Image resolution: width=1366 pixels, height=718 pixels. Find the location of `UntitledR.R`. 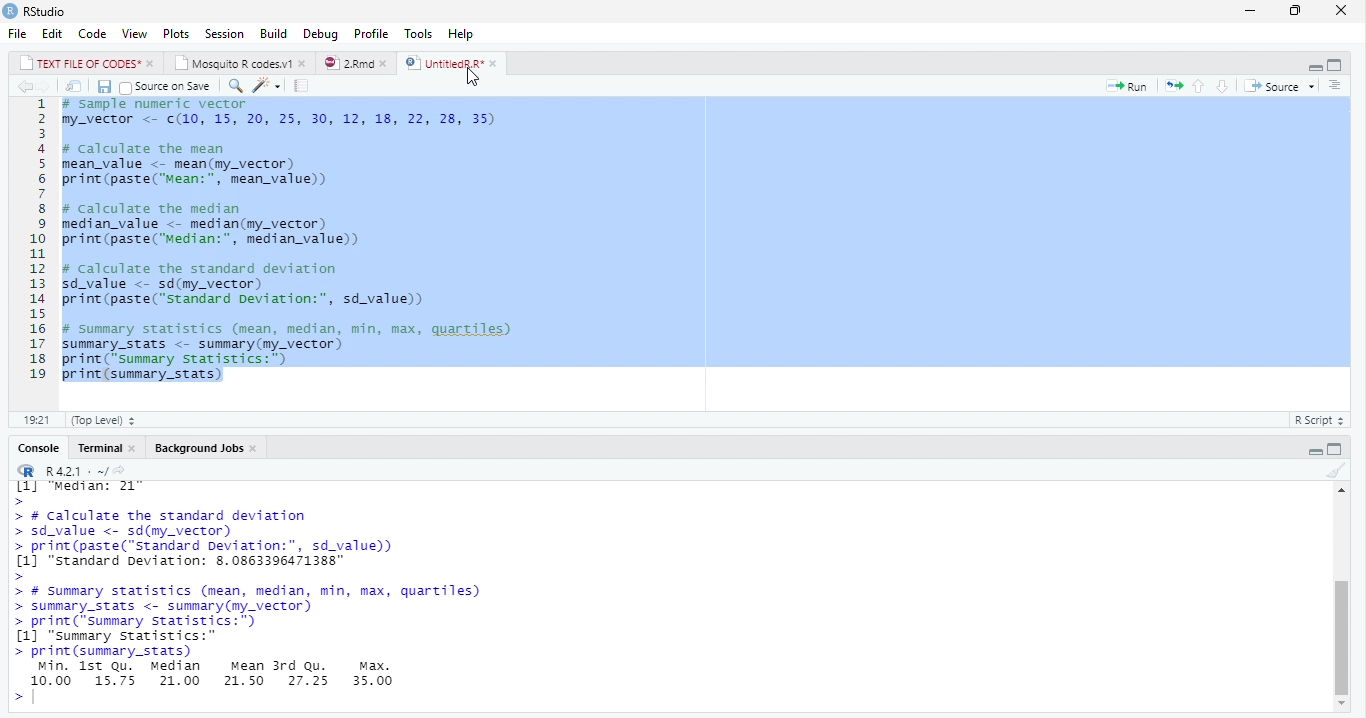

UntitledR.R is located at coordinates (443, 63).